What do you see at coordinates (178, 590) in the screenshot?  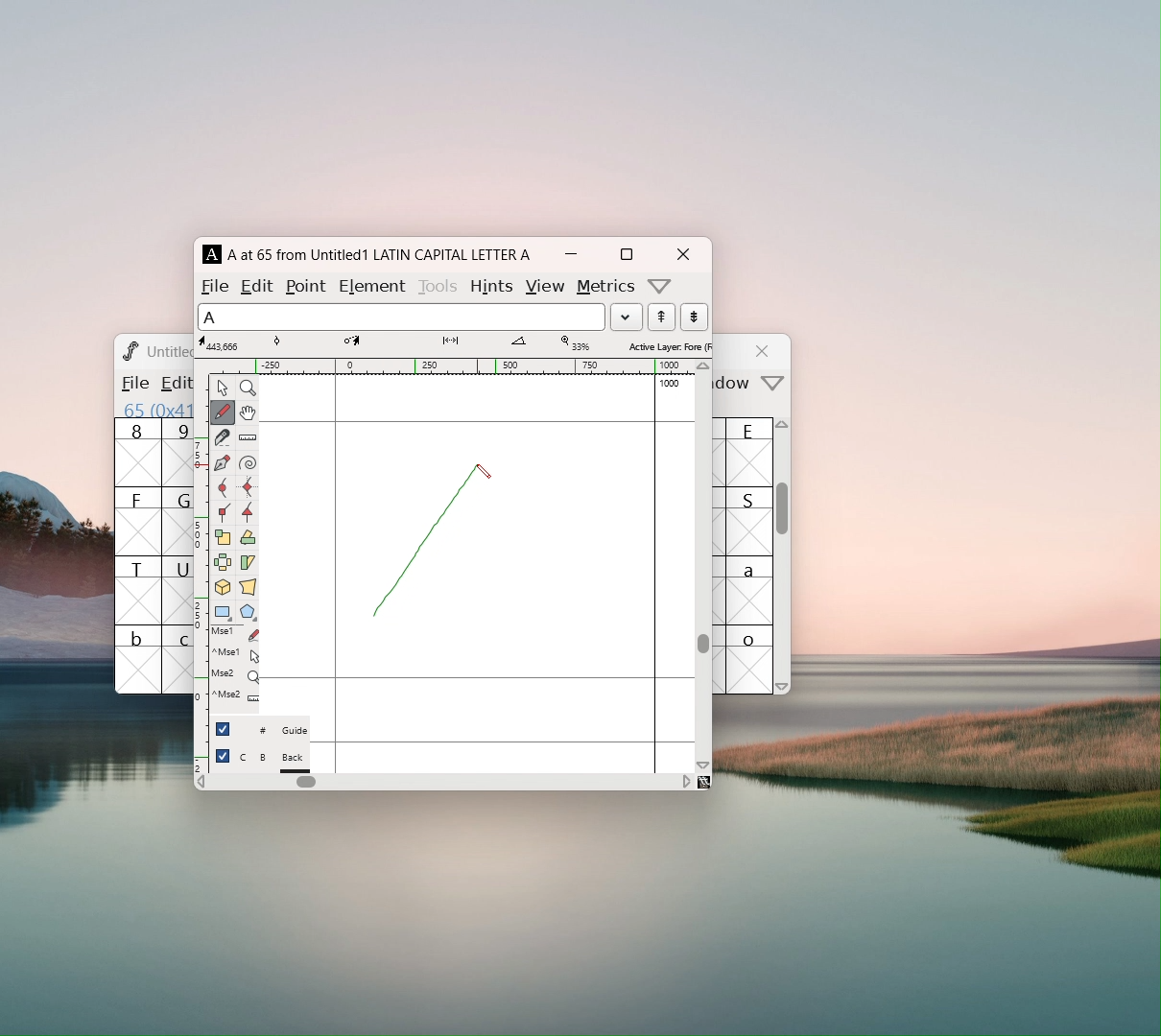 I see `U` at bounding box center [178, 590].